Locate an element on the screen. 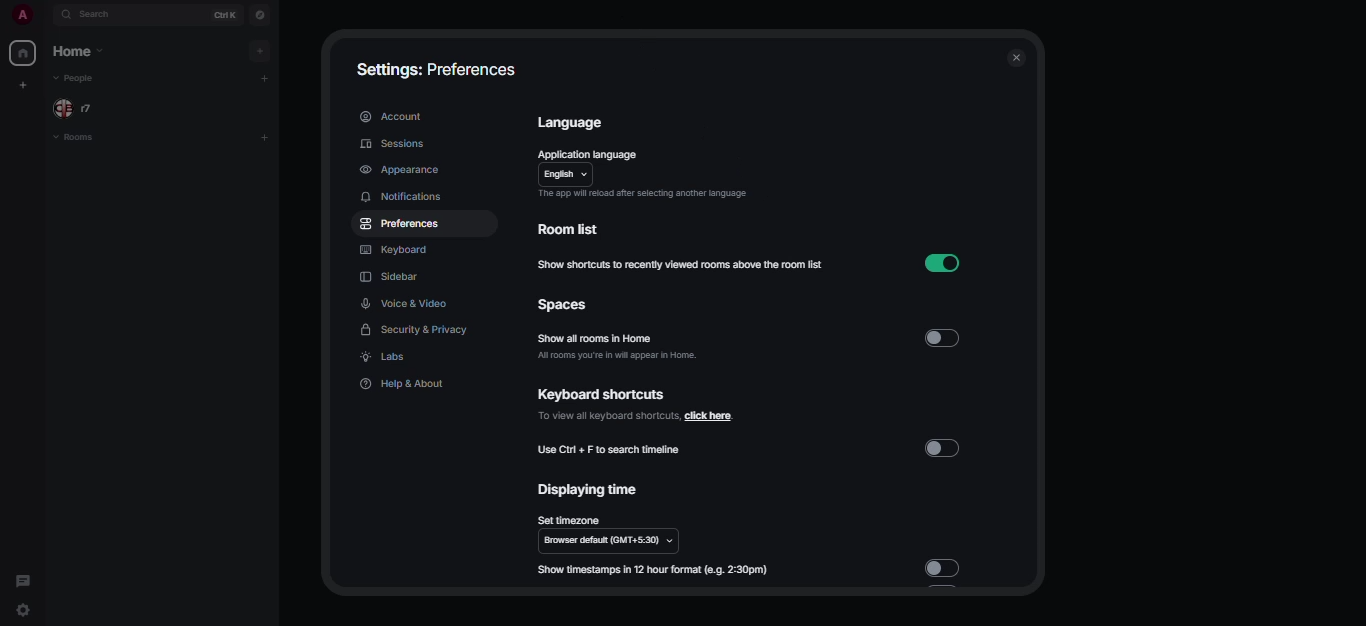  english is located at coordinates (568, 173).